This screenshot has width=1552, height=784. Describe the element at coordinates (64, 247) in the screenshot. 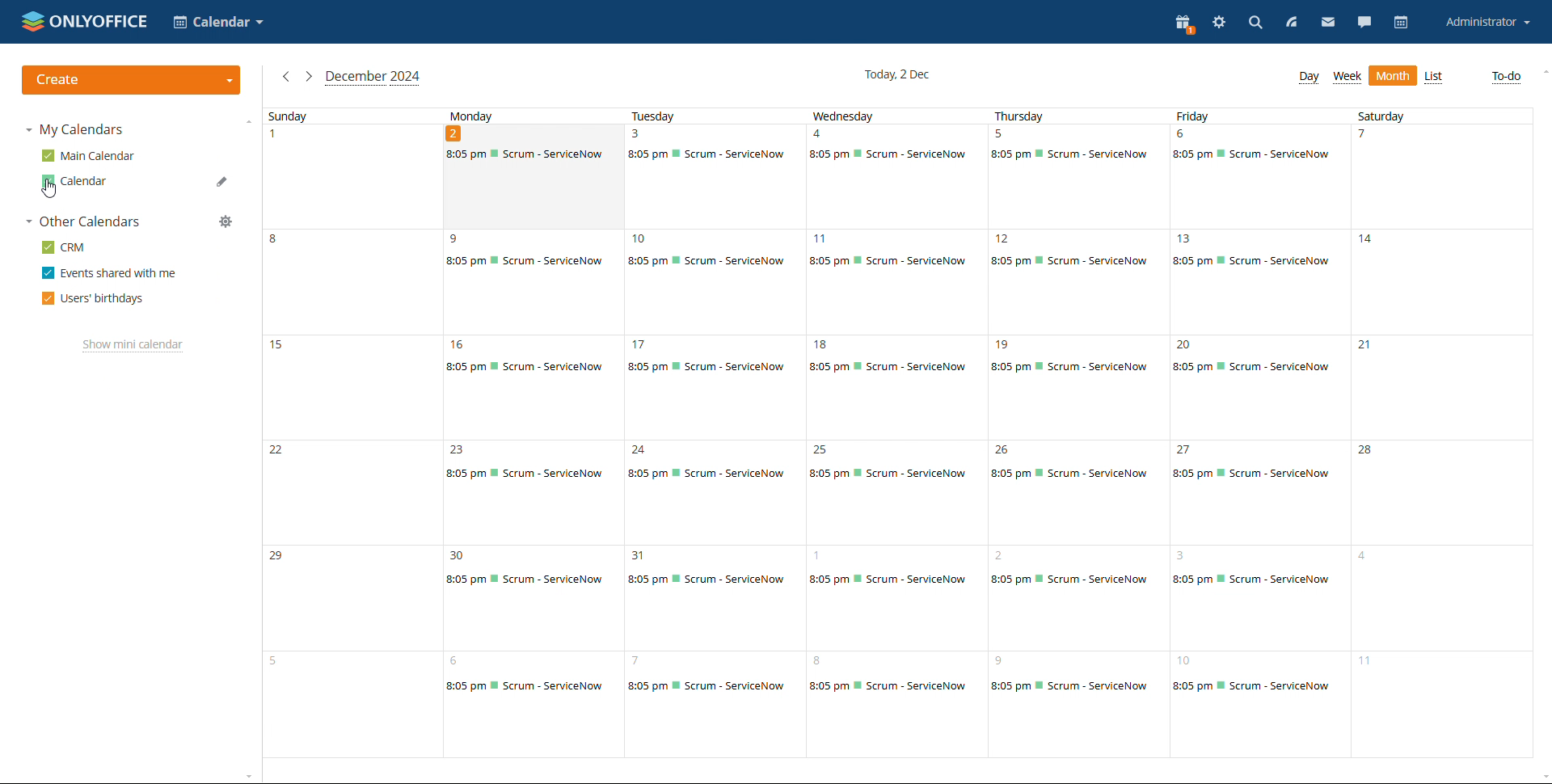

I see `crm` at that location.